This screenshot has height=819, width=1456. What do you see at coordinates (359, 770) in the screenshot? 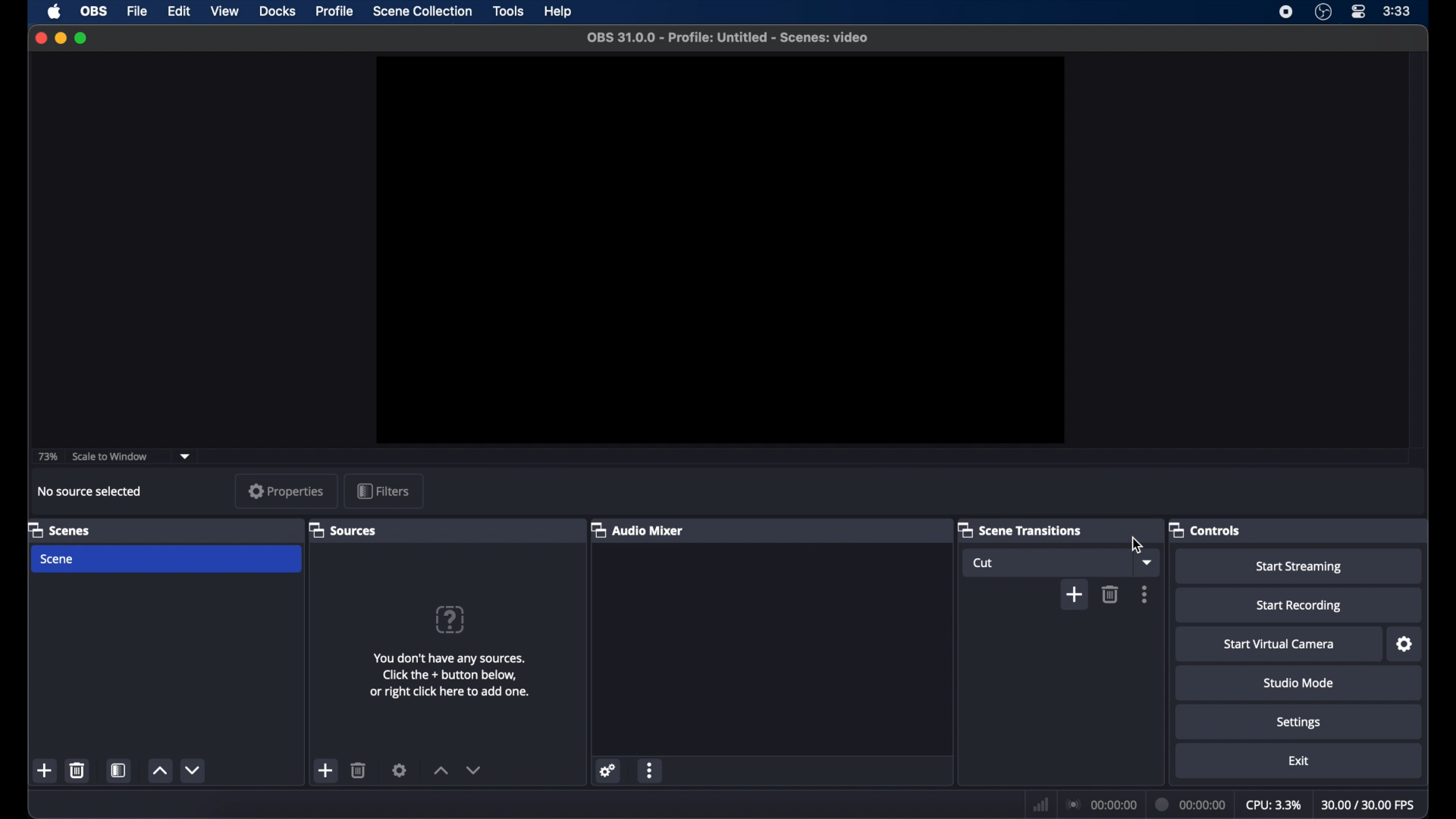
I see `delete` at bounding box center [359, 770].